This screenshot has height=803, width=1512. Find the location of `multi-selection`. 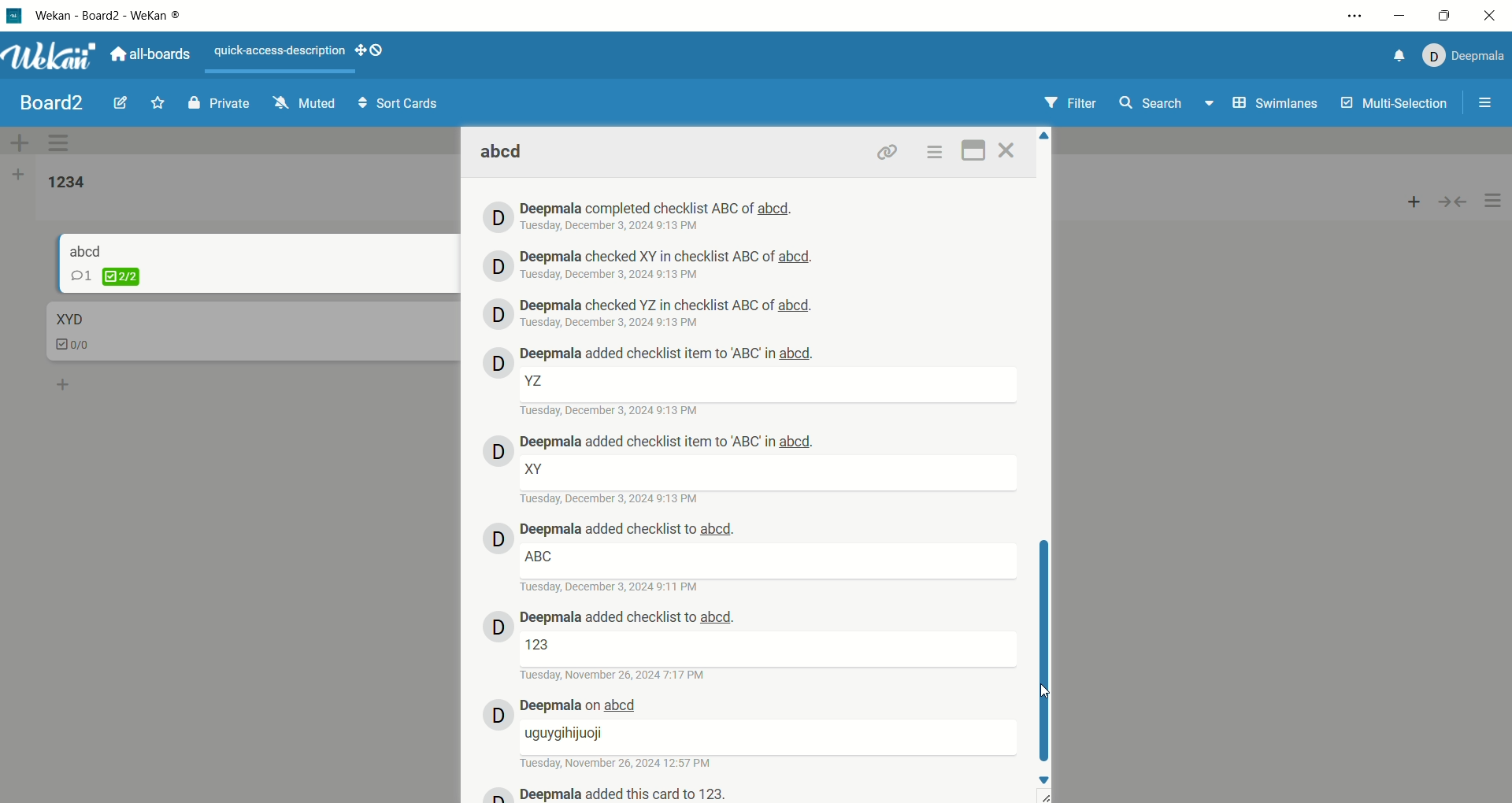

multi-selection is located at coordinates (1396, 104).